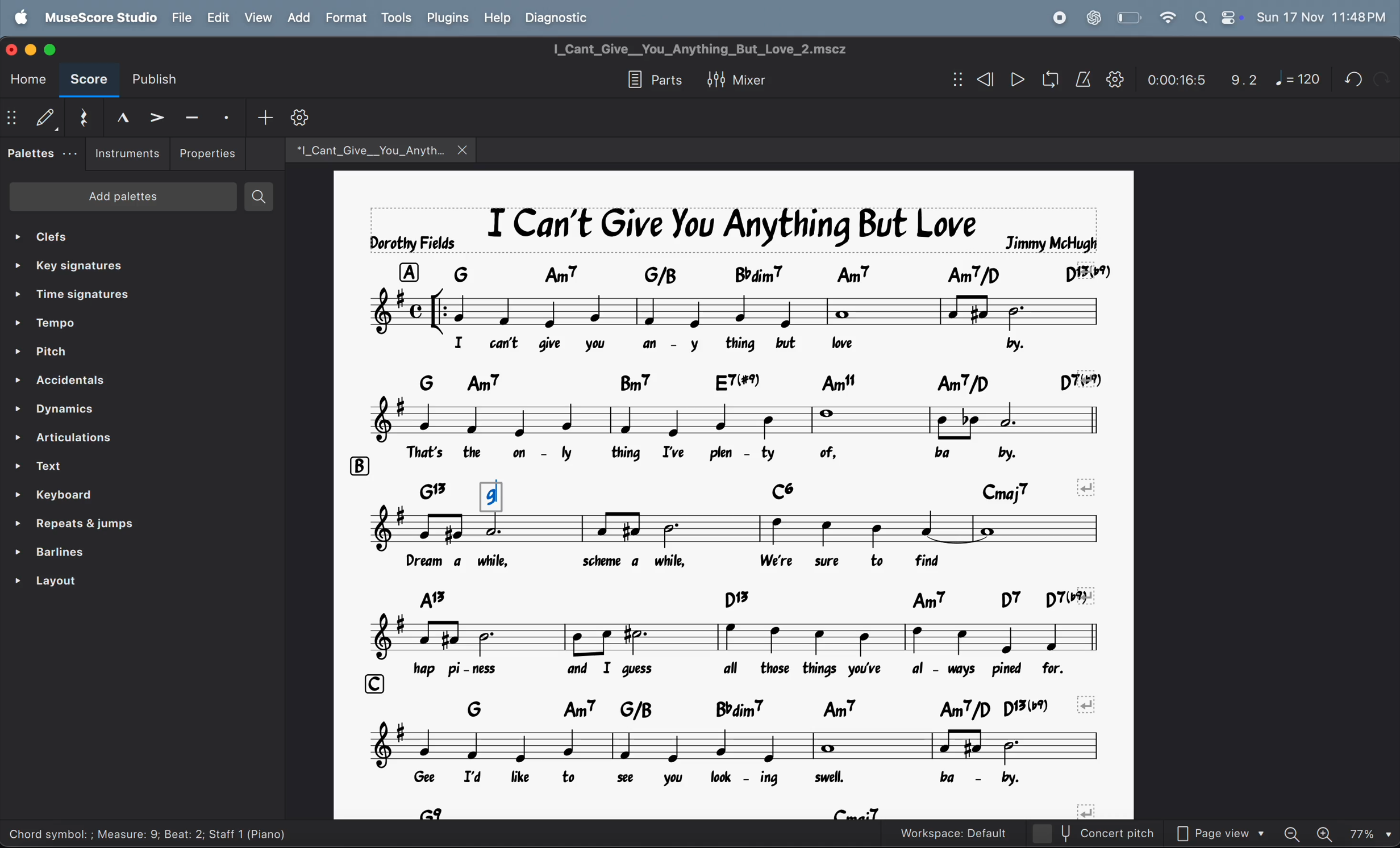  I want to click on notes, so click(730, 528).